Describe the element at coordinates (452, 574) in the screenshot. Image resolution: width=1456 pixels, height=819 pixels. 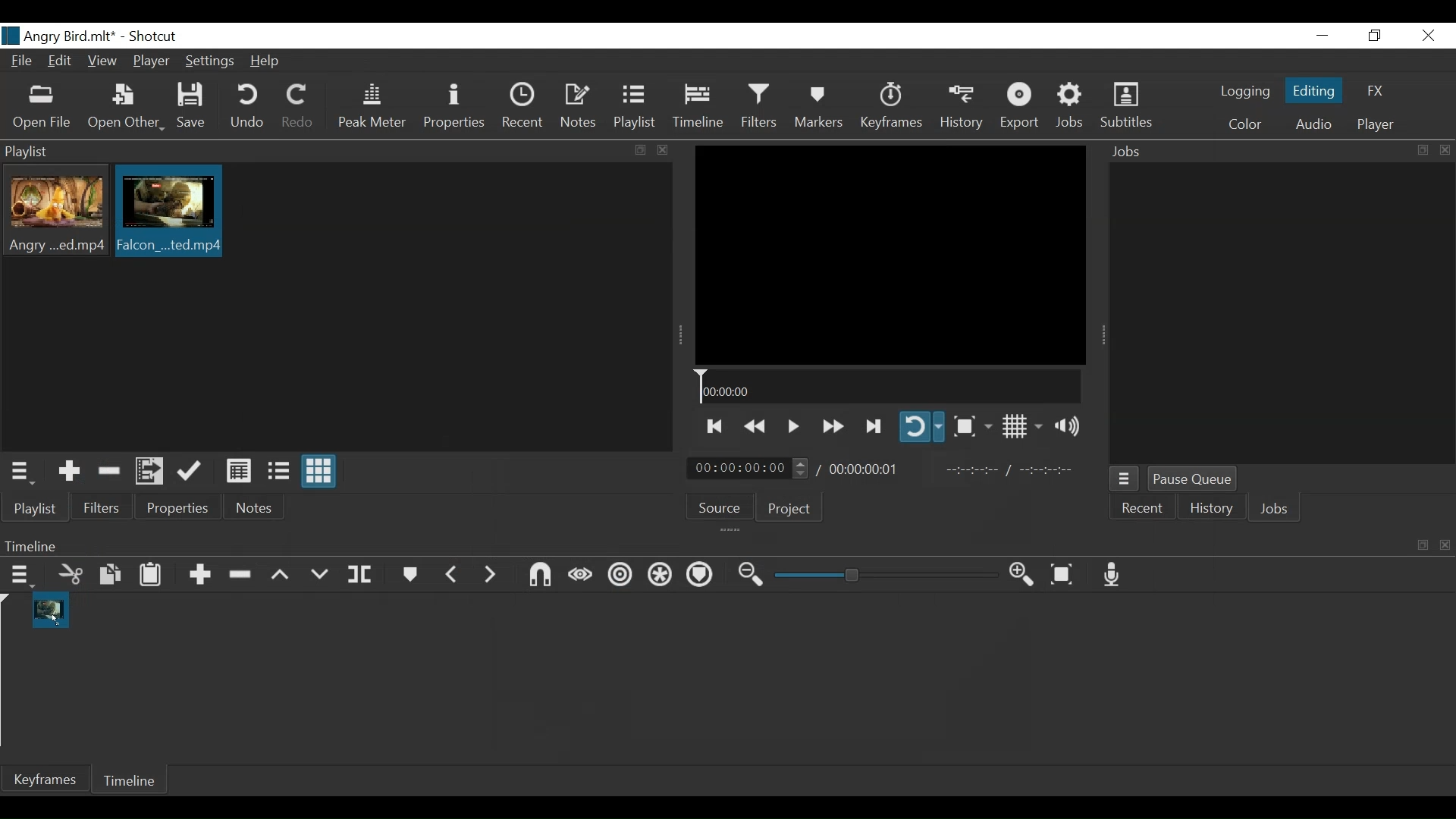
I see `Previous marker` at that location.